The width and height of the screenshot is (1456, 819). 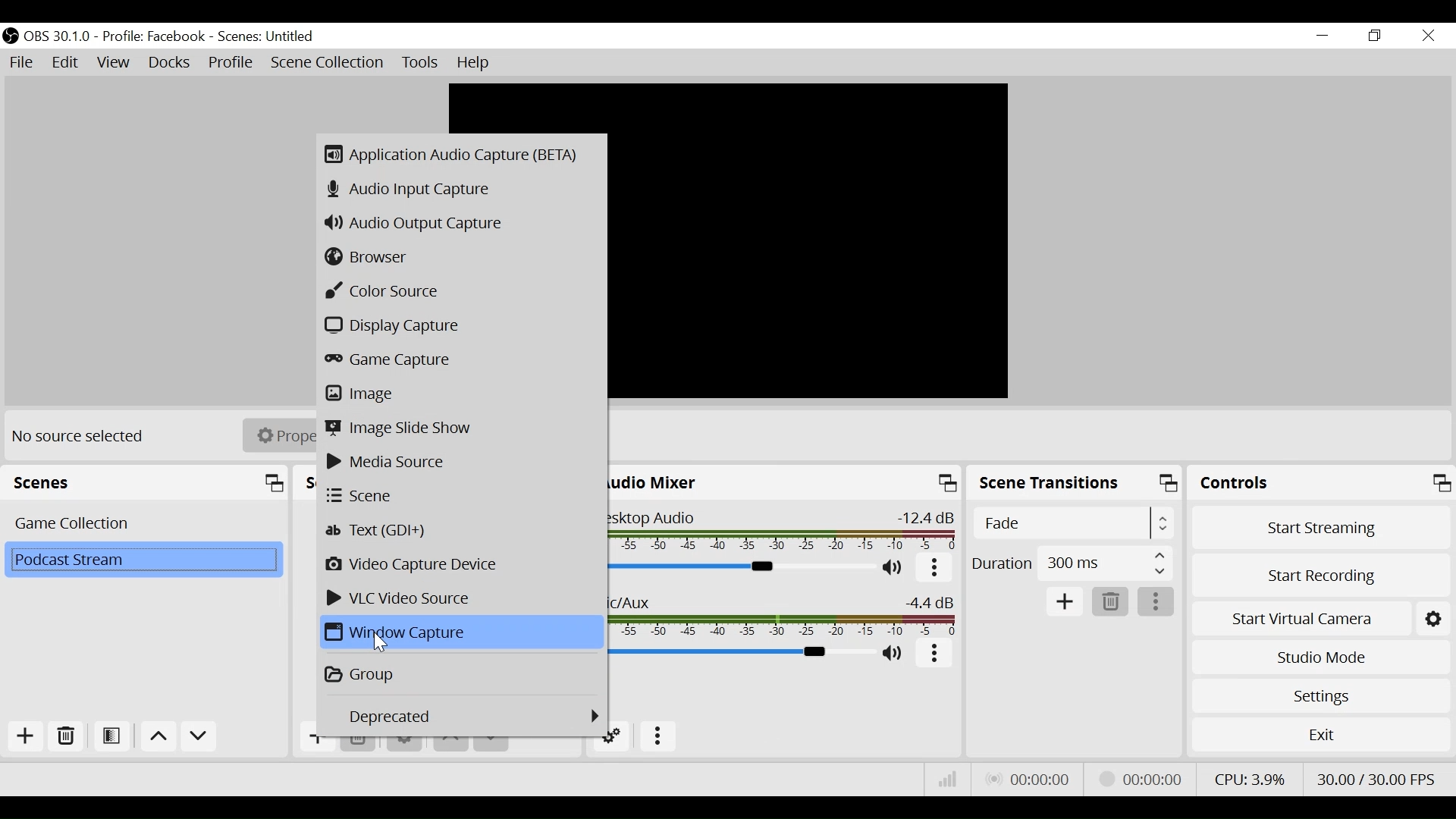 I want to click on Scene , so click(x=145, y=560).